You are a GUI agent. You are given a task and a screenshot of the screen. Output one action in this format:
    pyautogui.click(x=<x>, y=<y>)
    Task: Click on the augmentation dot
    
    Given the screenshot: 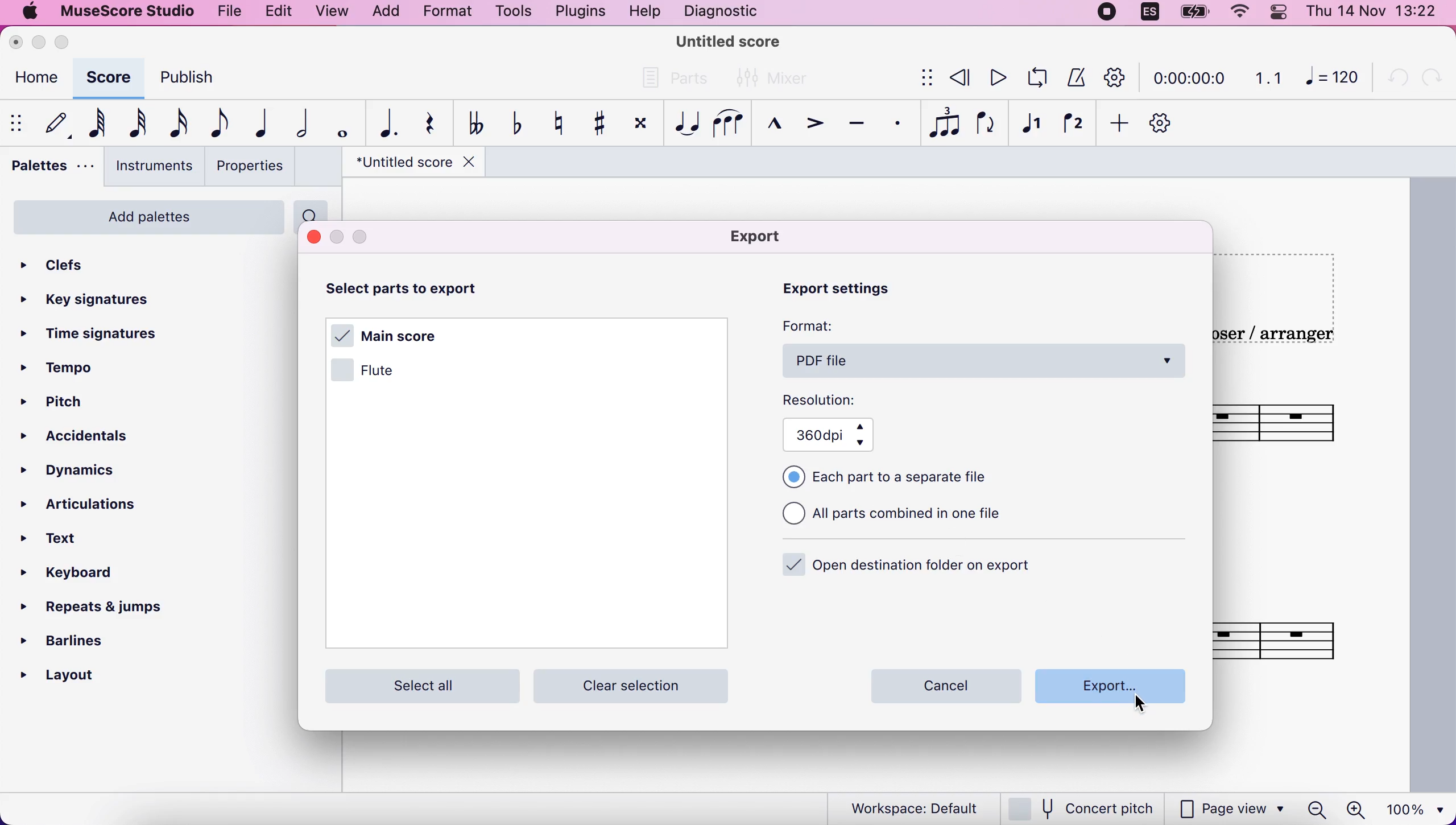 What is the action you would take?
    pyautogui.click(x=384, y=123)
    